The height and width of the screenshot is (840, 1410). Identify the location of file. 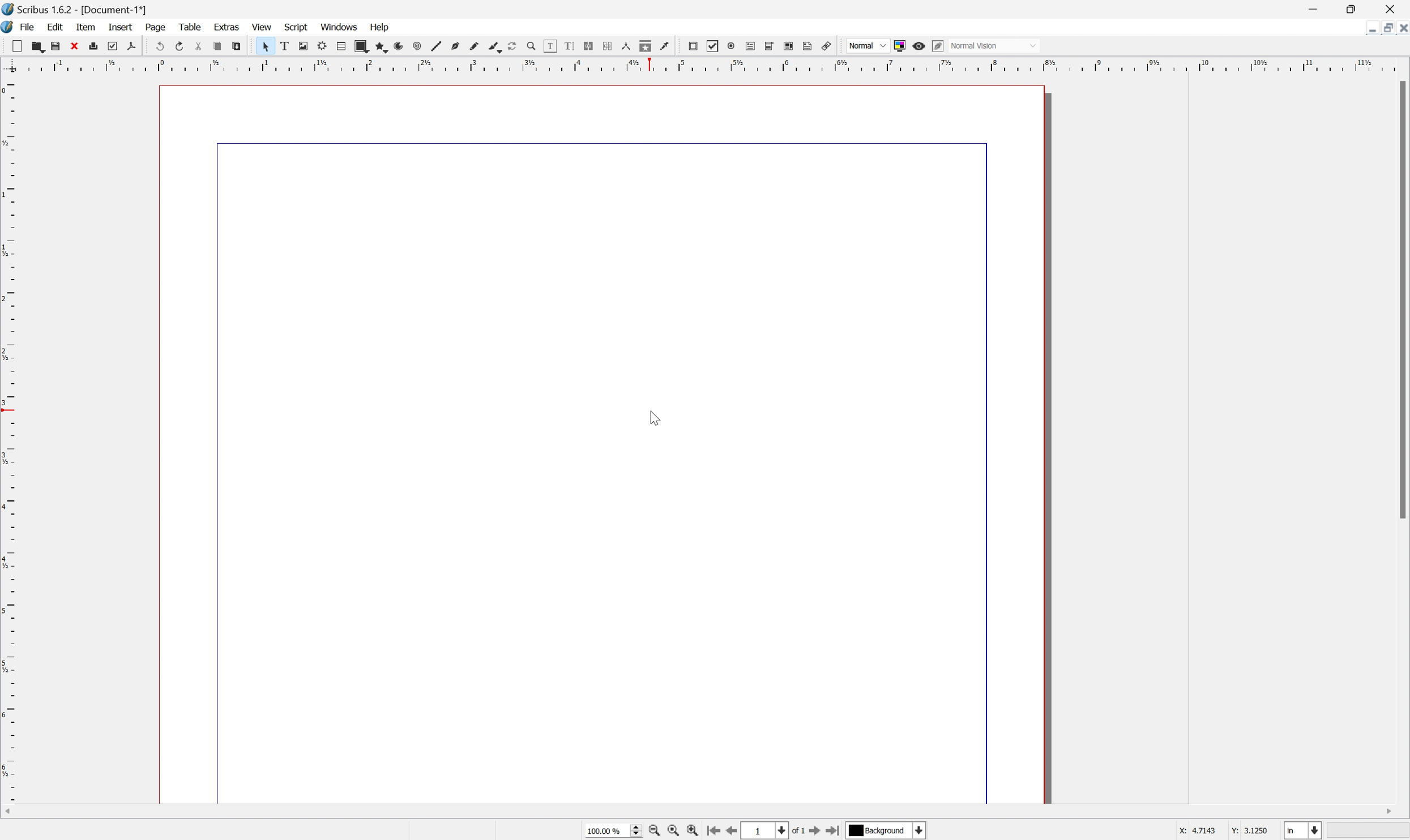
(29, 26).